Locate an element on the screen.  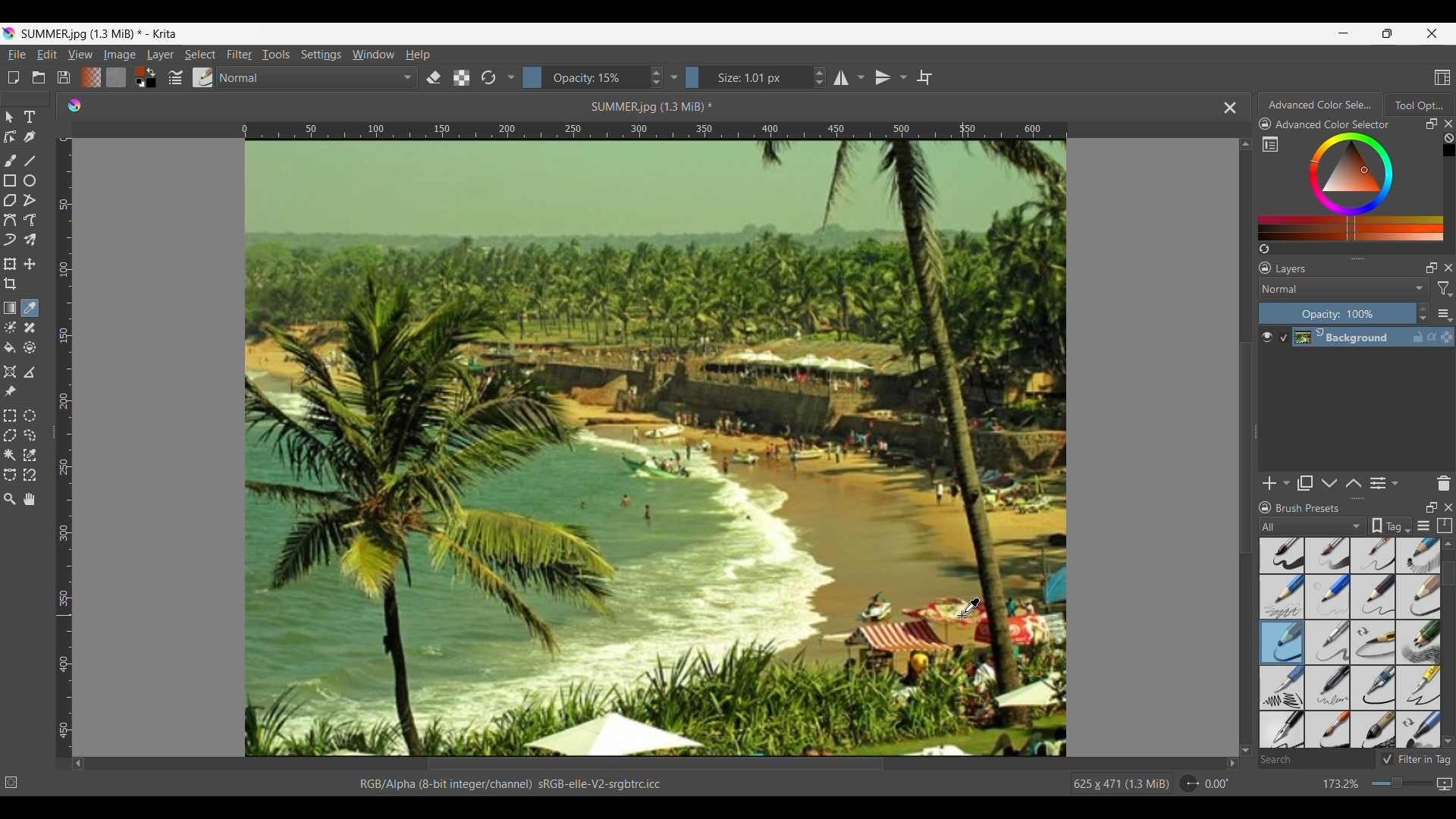
Window menu is located at coordinates (372, 54).